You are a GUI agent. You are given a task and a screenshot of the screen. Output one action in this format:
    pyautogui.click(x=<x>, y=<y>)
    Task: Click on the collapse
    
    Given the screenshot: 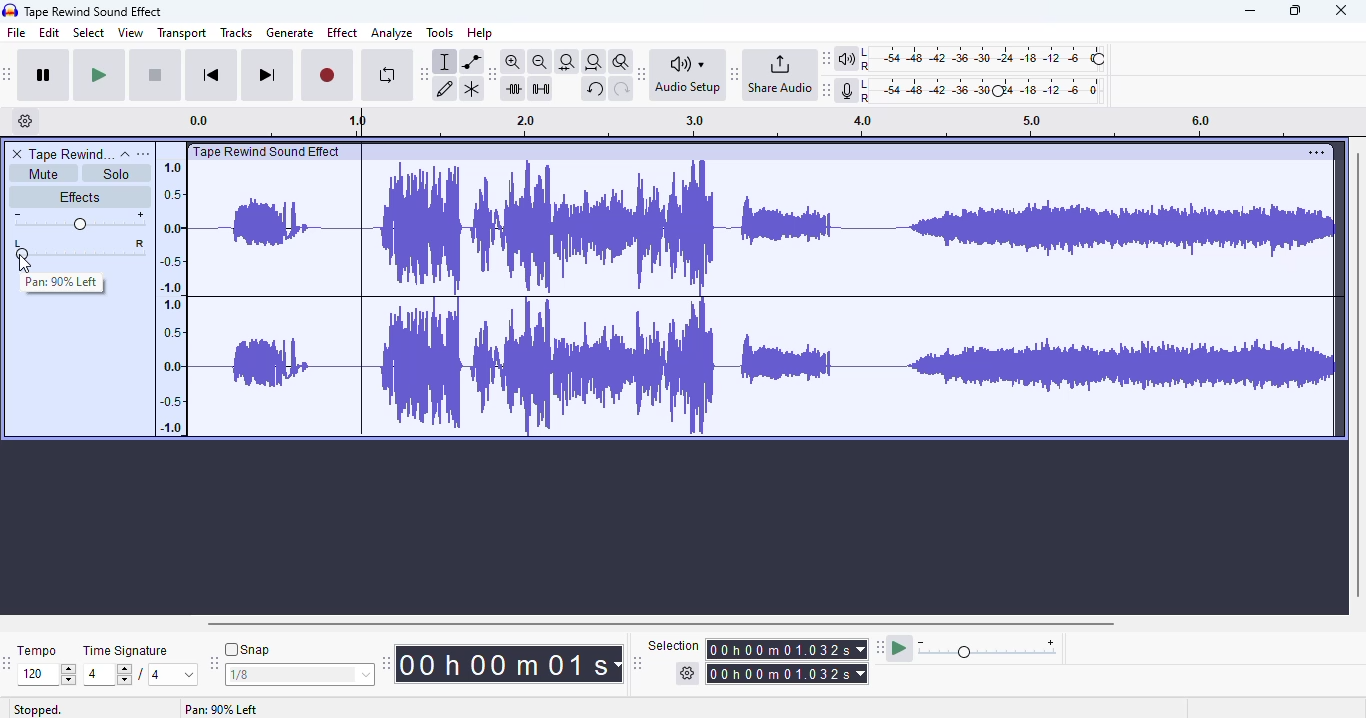 What is the action you would take?
    pyautogui.click(x=126, y=155)
    